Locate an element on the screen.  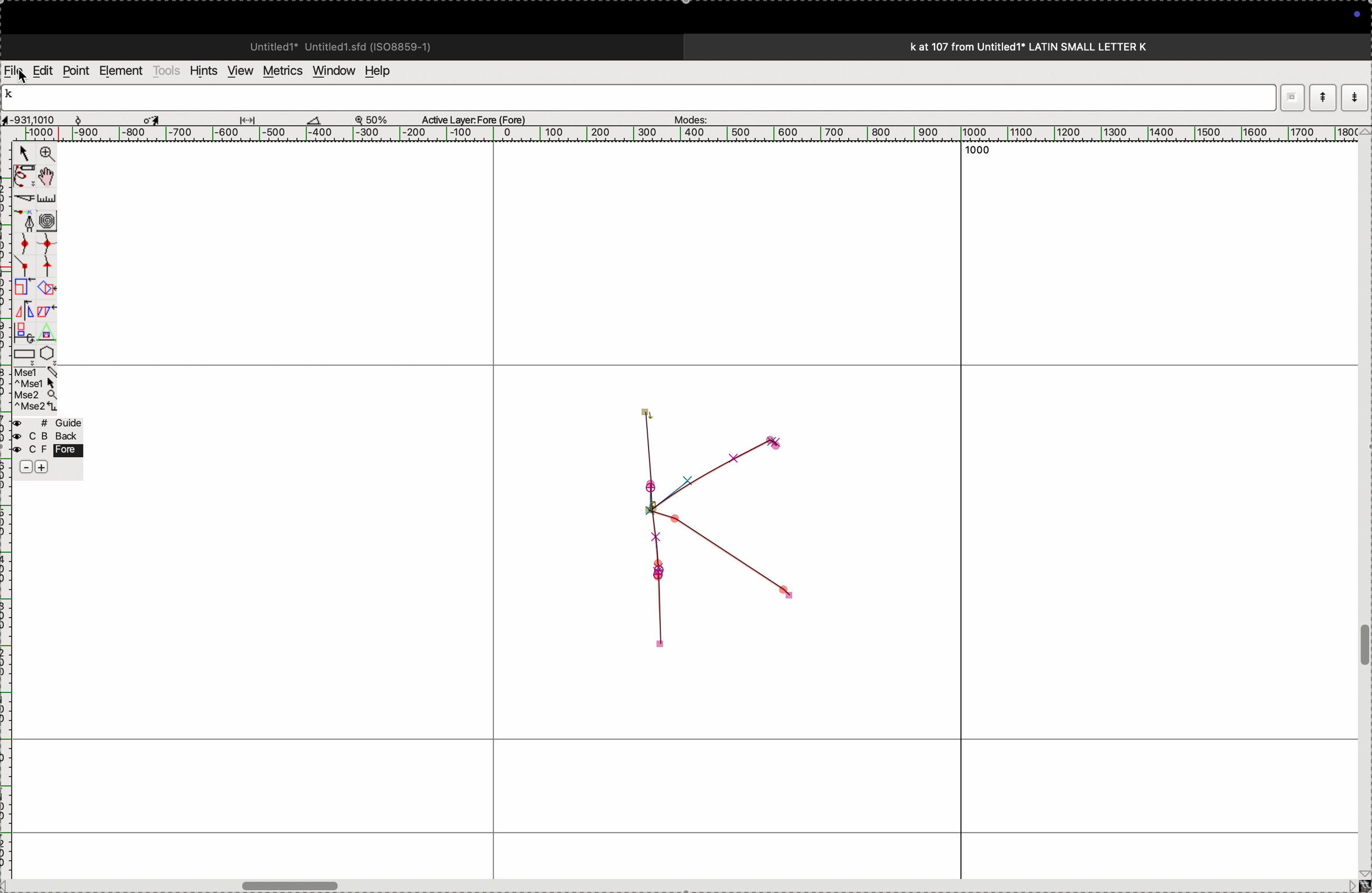
cut is located at coordinates (314, 119).